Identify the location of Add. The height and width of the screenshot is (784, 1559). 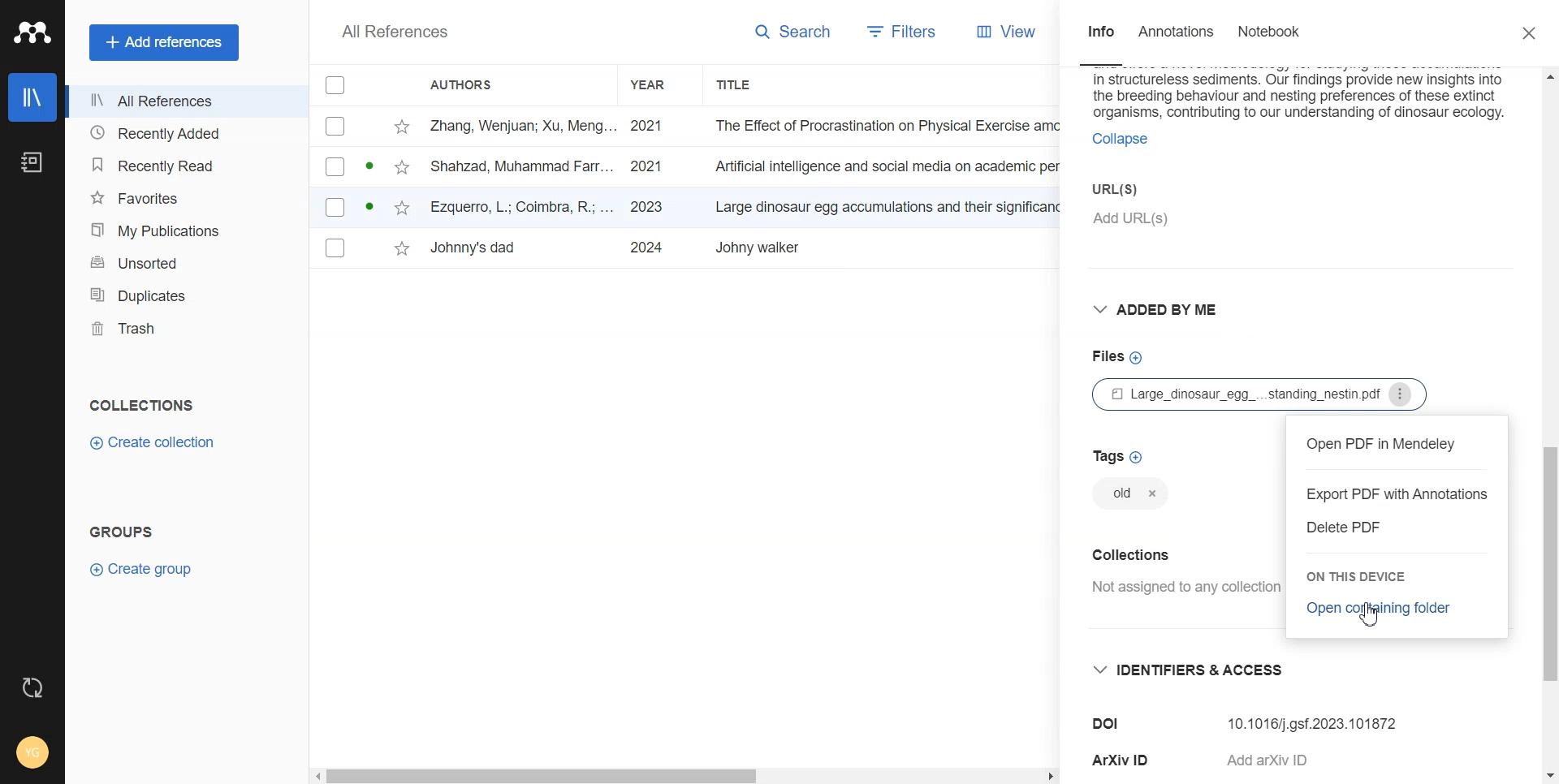
(1283, 757).